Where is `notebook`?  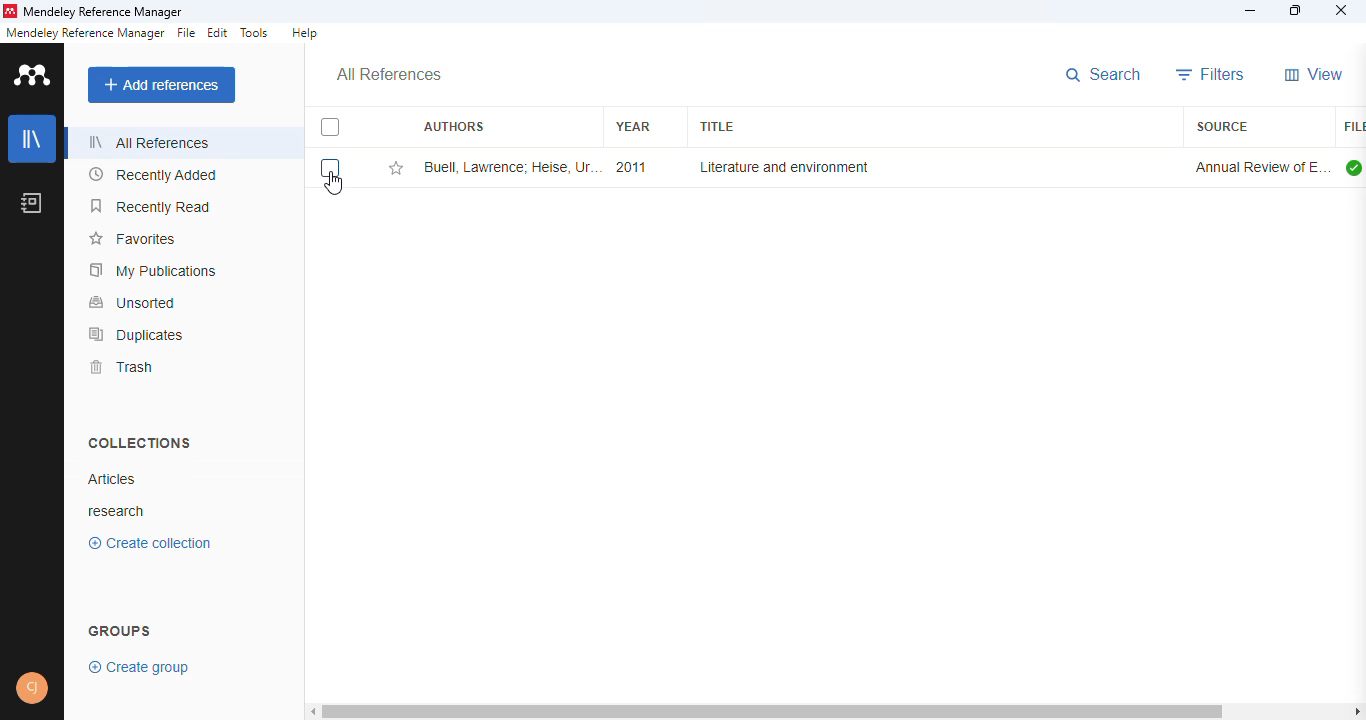 notebook is located at coordinates (31, 203).